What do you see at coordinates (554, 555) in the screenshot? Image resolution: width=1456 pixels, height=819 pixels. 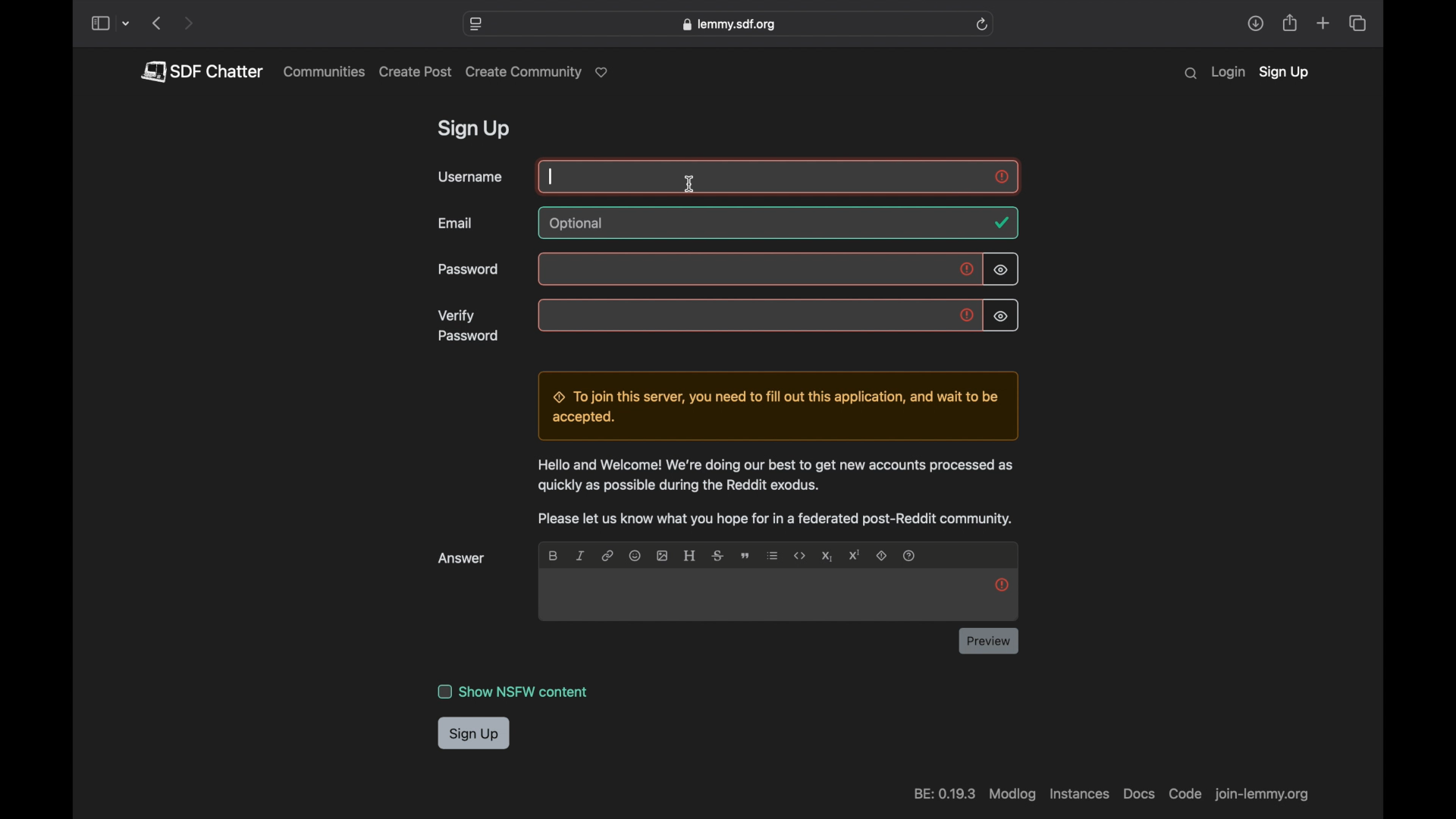 I see `bold` at bounding box center [554, 555].